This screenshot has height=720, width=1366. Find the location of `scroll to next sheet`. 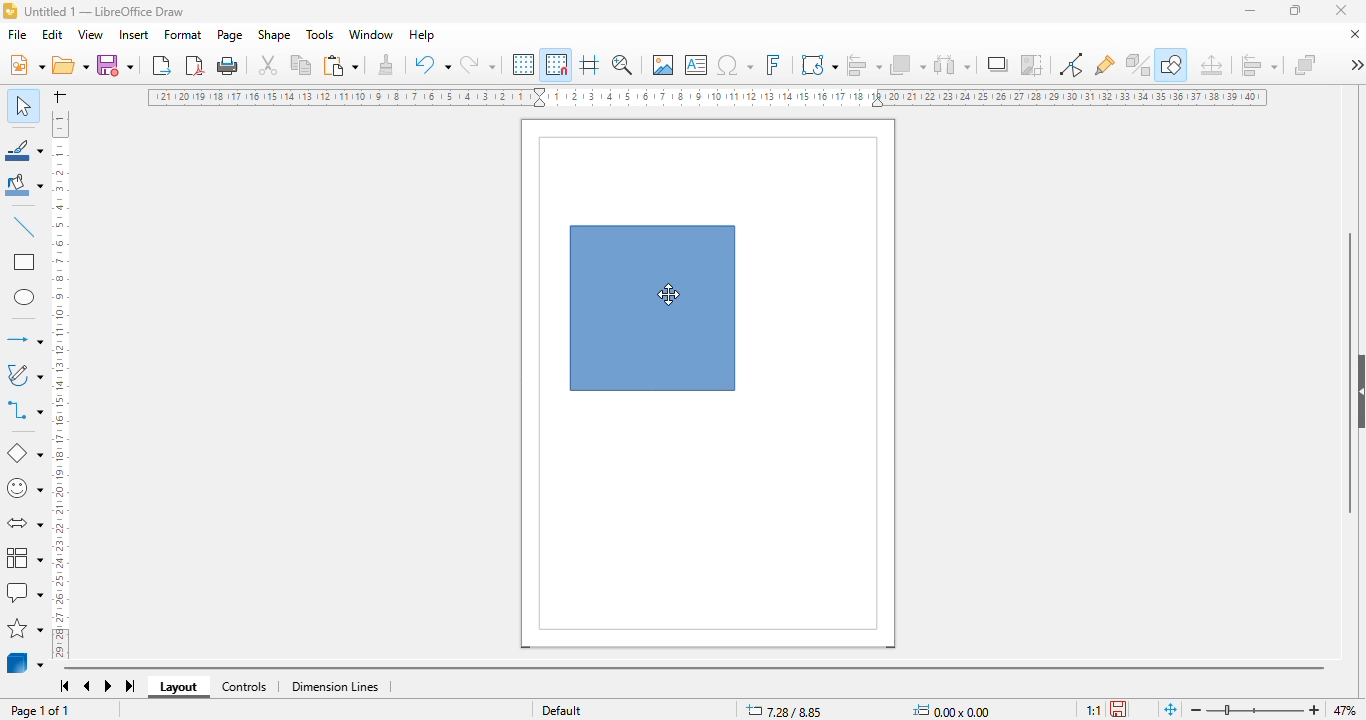

scroll to next sheet is located at coordinates (109, 687).